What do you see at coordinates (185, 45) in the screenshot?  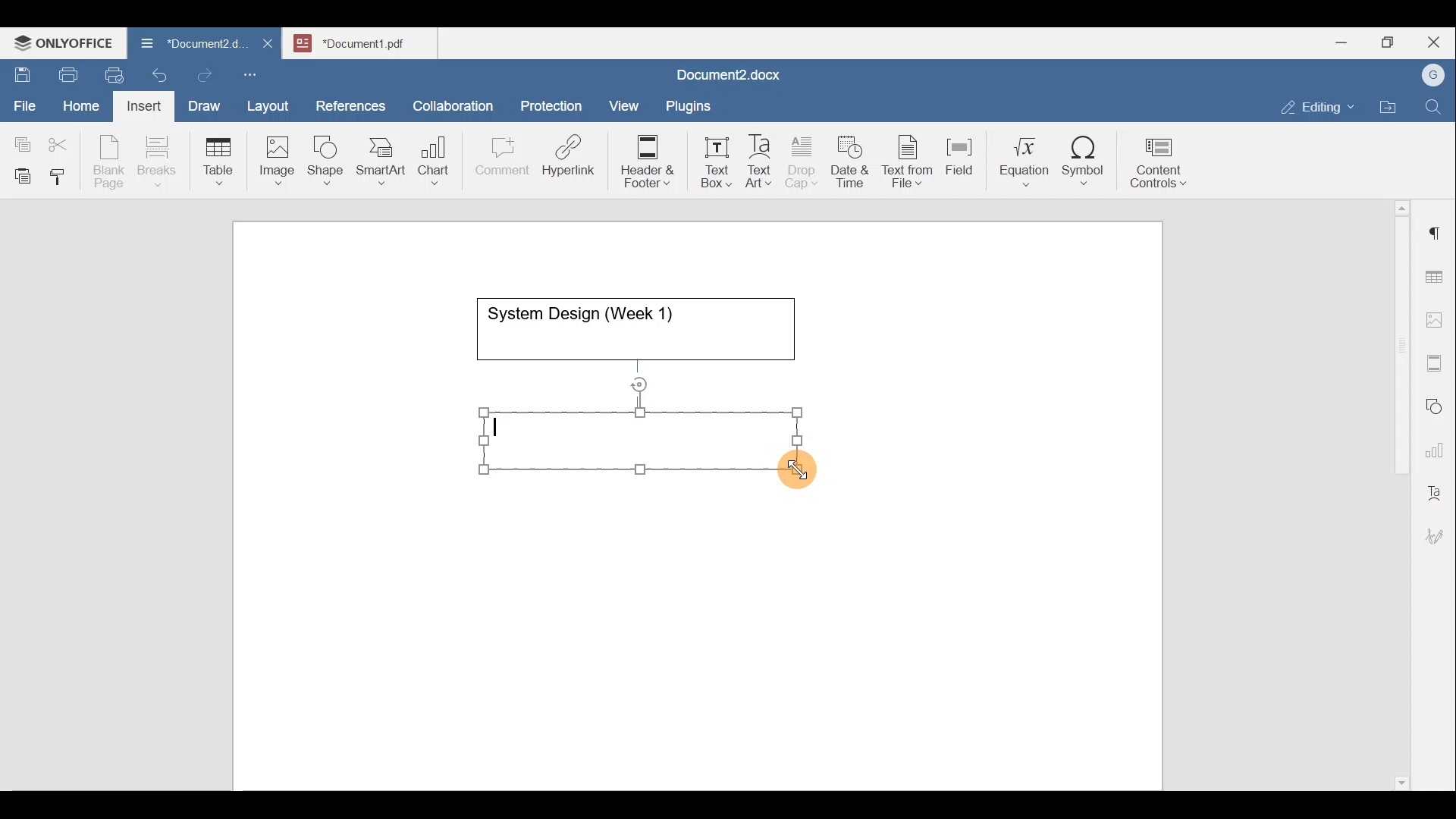 I see `Document name` at bounding box center [185, 45].